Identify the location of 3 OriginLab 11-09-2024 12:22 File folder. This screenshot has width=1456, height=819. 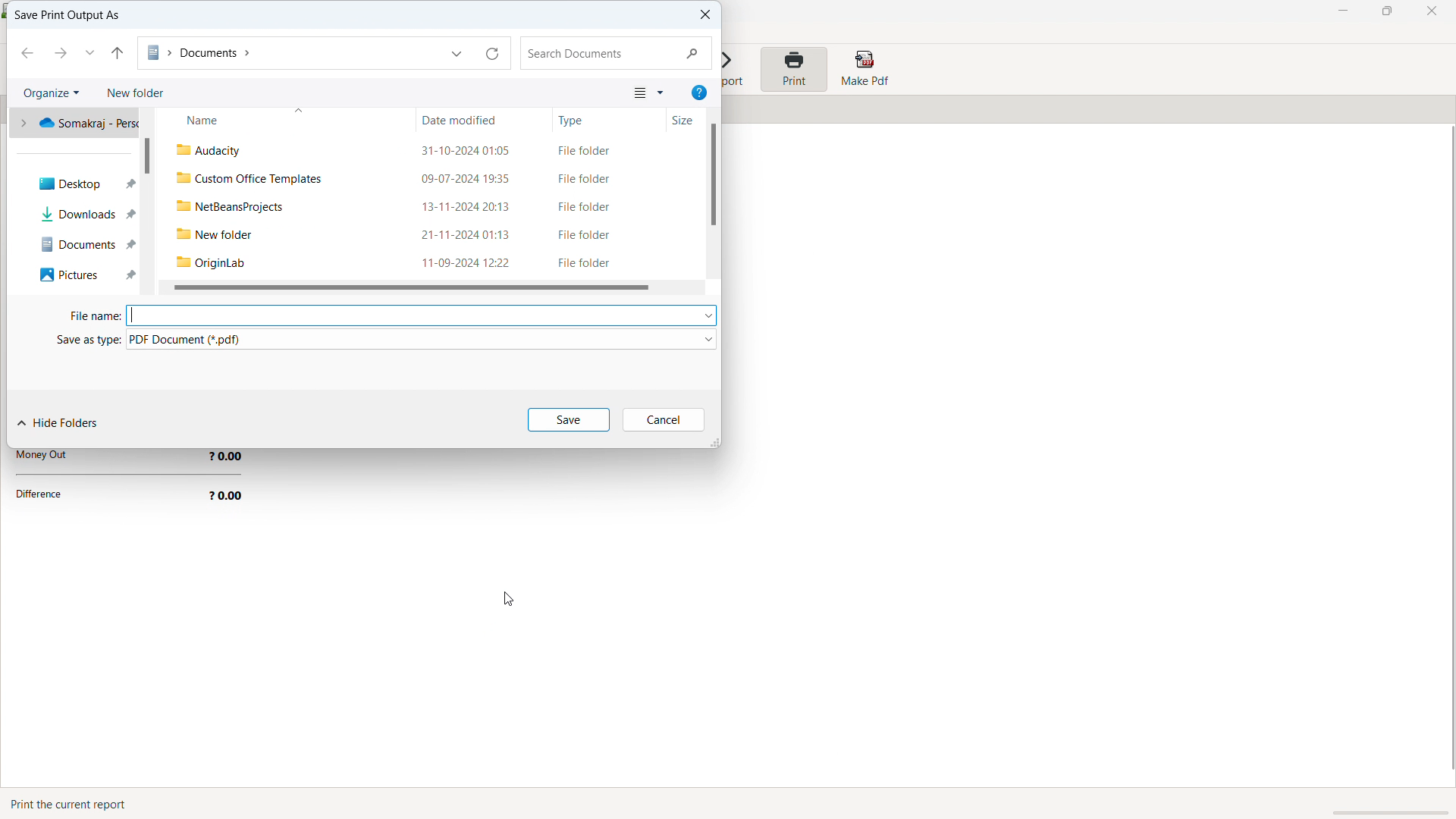
(422, 262).